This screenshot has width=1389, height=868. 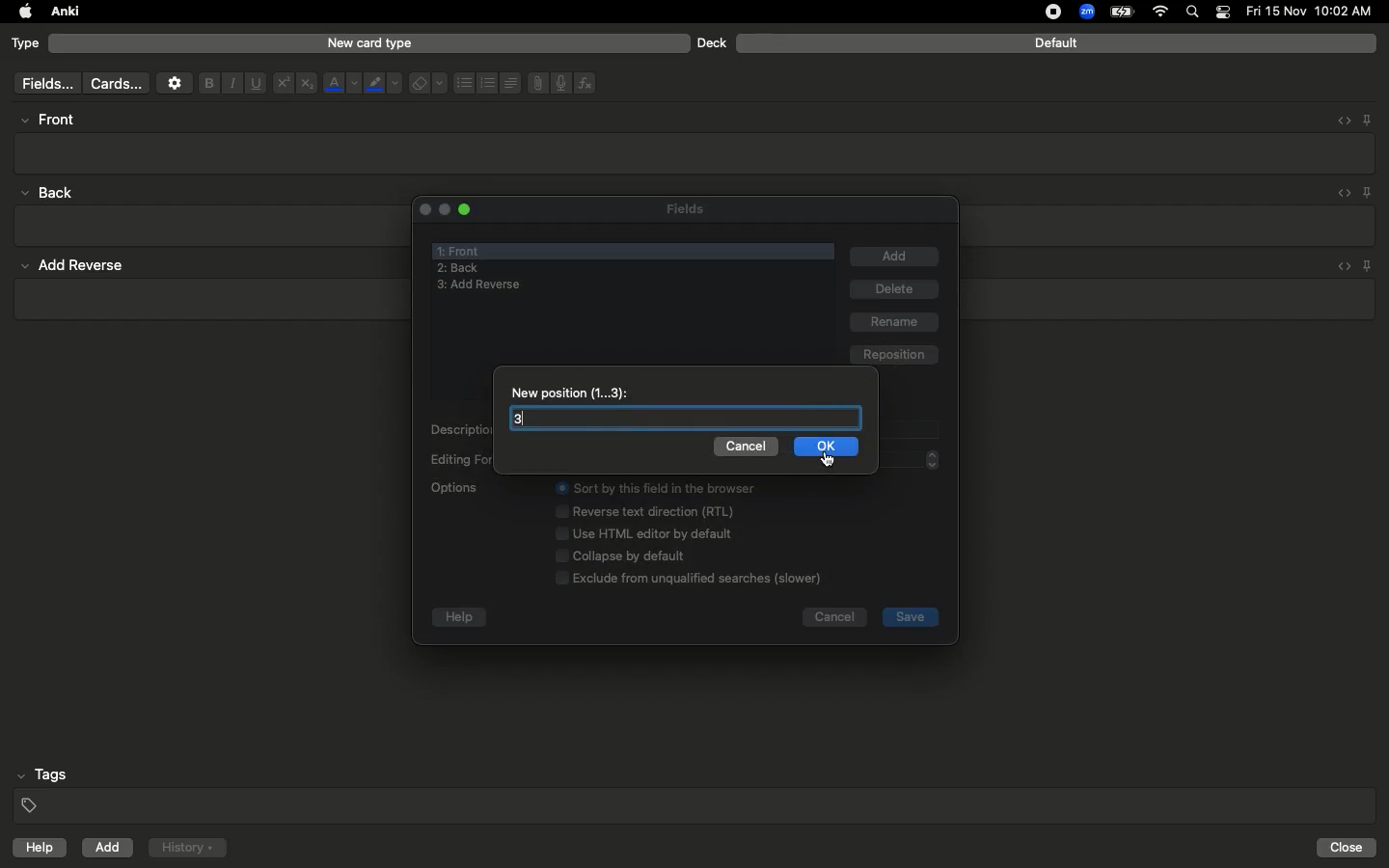 I want to click on New card type, so click(x=368, y=42).